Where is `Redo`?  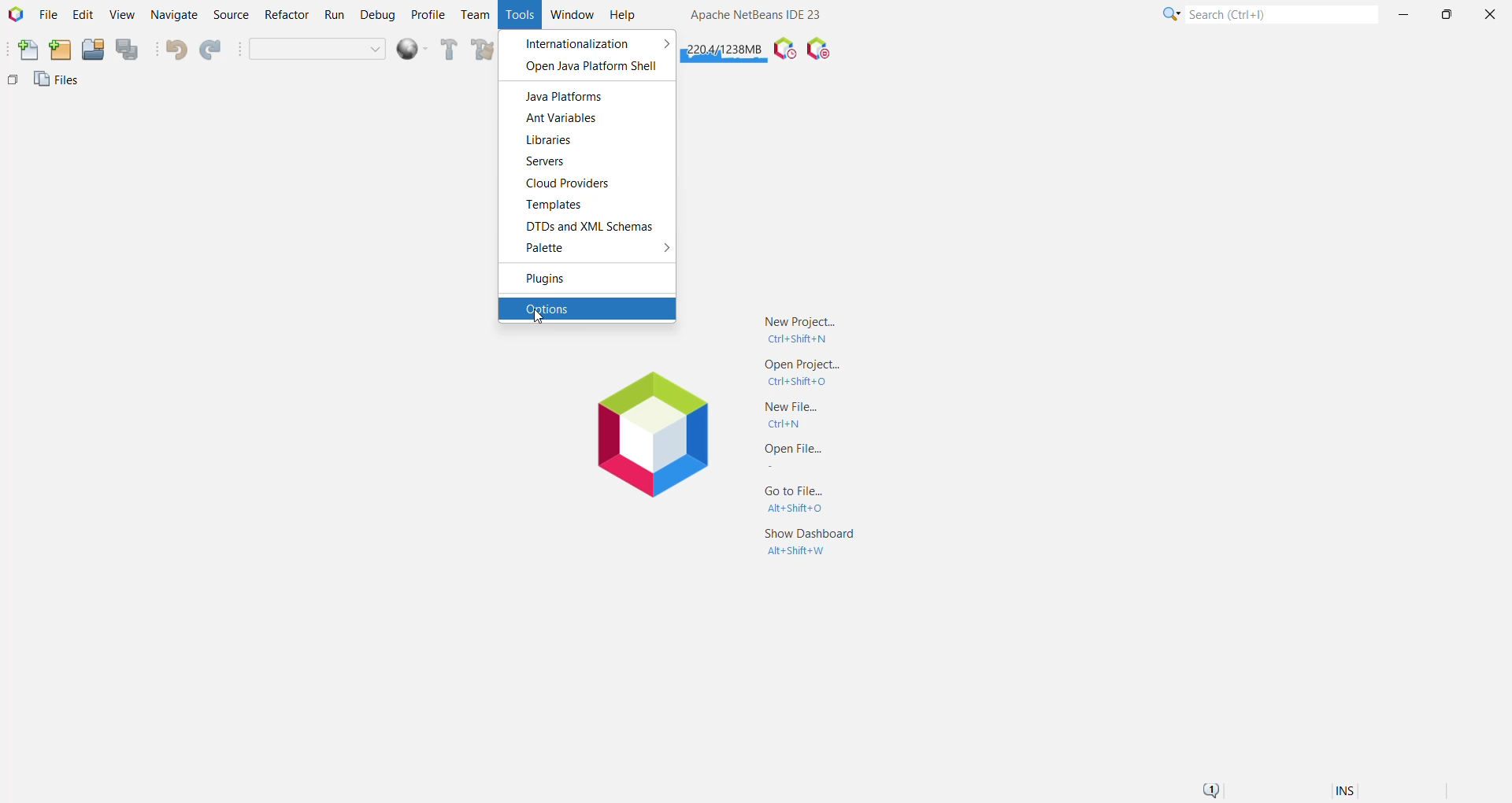 Redo is located at coordinates (213, 50).